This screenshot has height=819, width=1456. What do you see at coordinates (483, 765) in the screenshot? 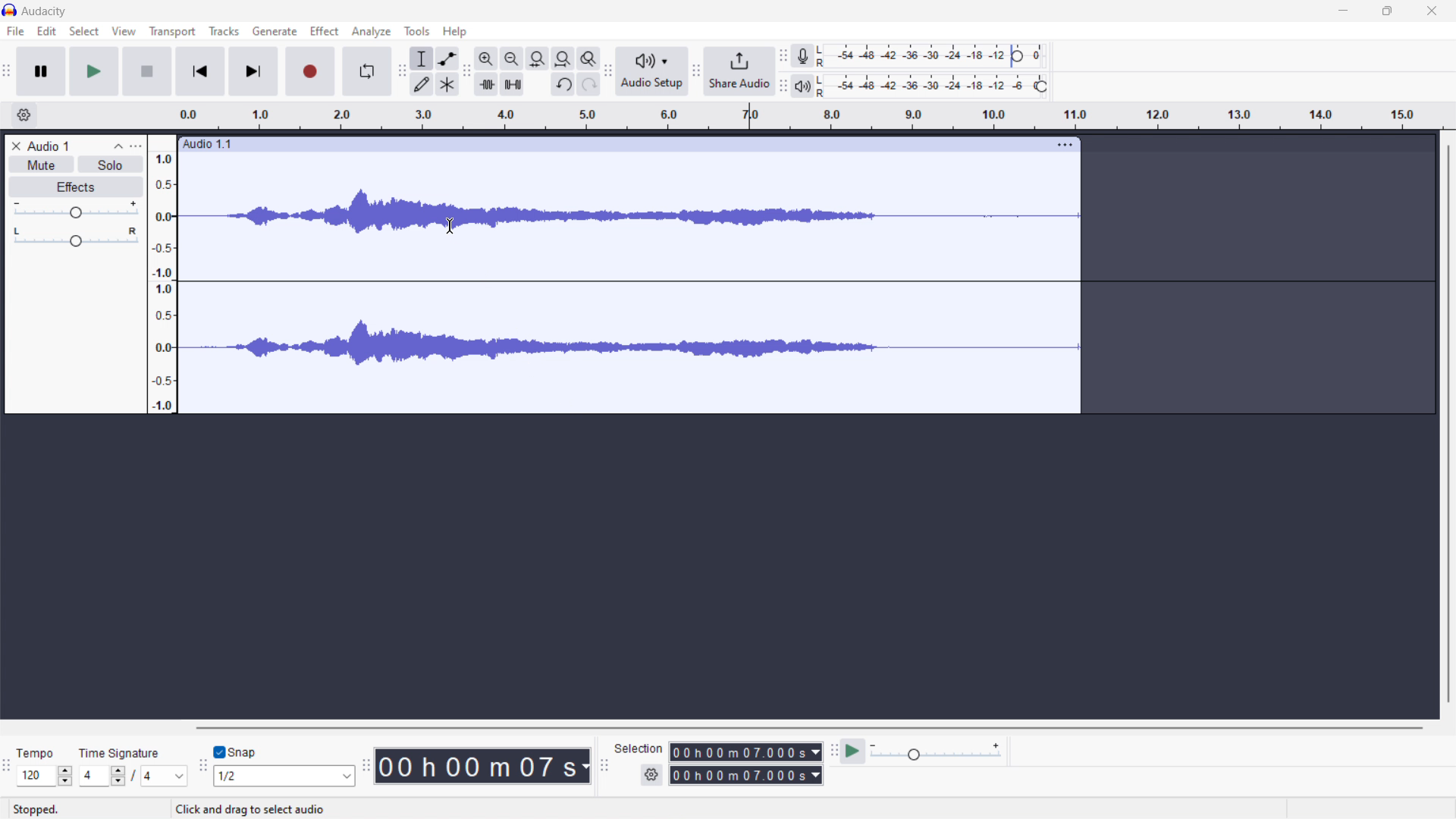
I see `00 h 00 m 07 s` at bounding box center [483, 765].